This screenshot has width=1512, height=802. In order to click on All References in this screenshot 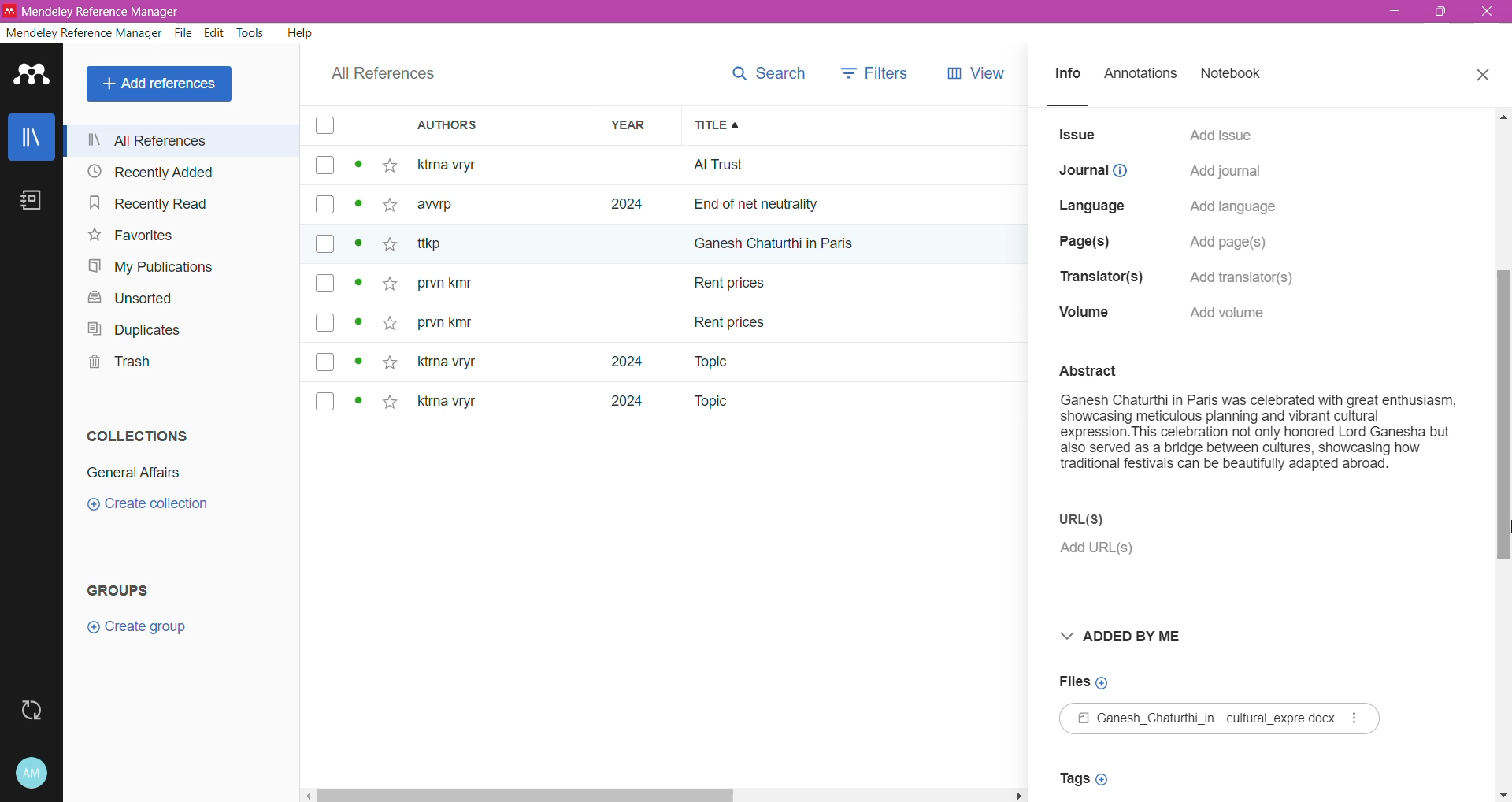, I will do `click(186, 140)`.